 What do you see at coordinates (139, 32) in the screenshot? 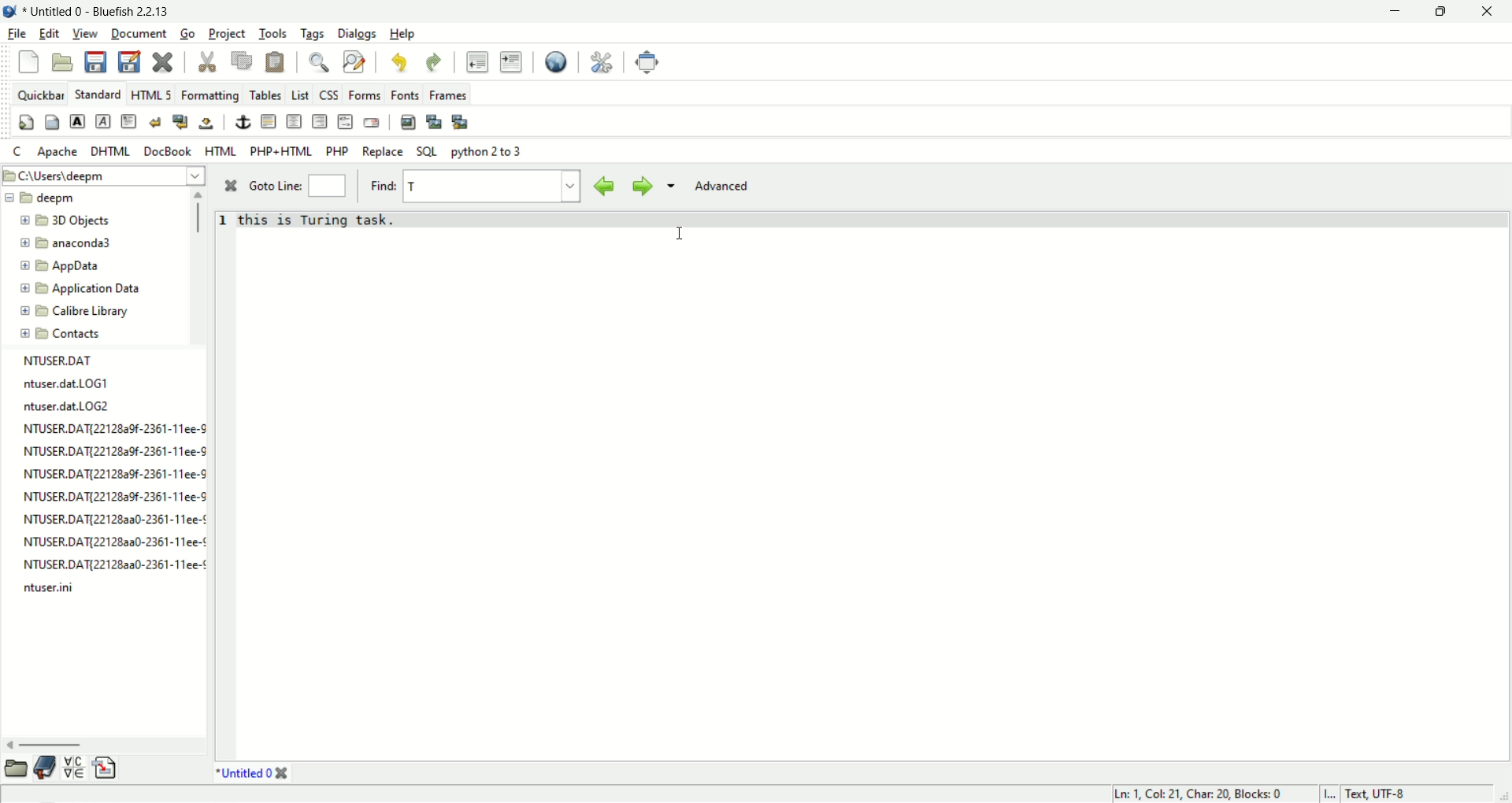
I see `document` at bounding box center [139, 32].